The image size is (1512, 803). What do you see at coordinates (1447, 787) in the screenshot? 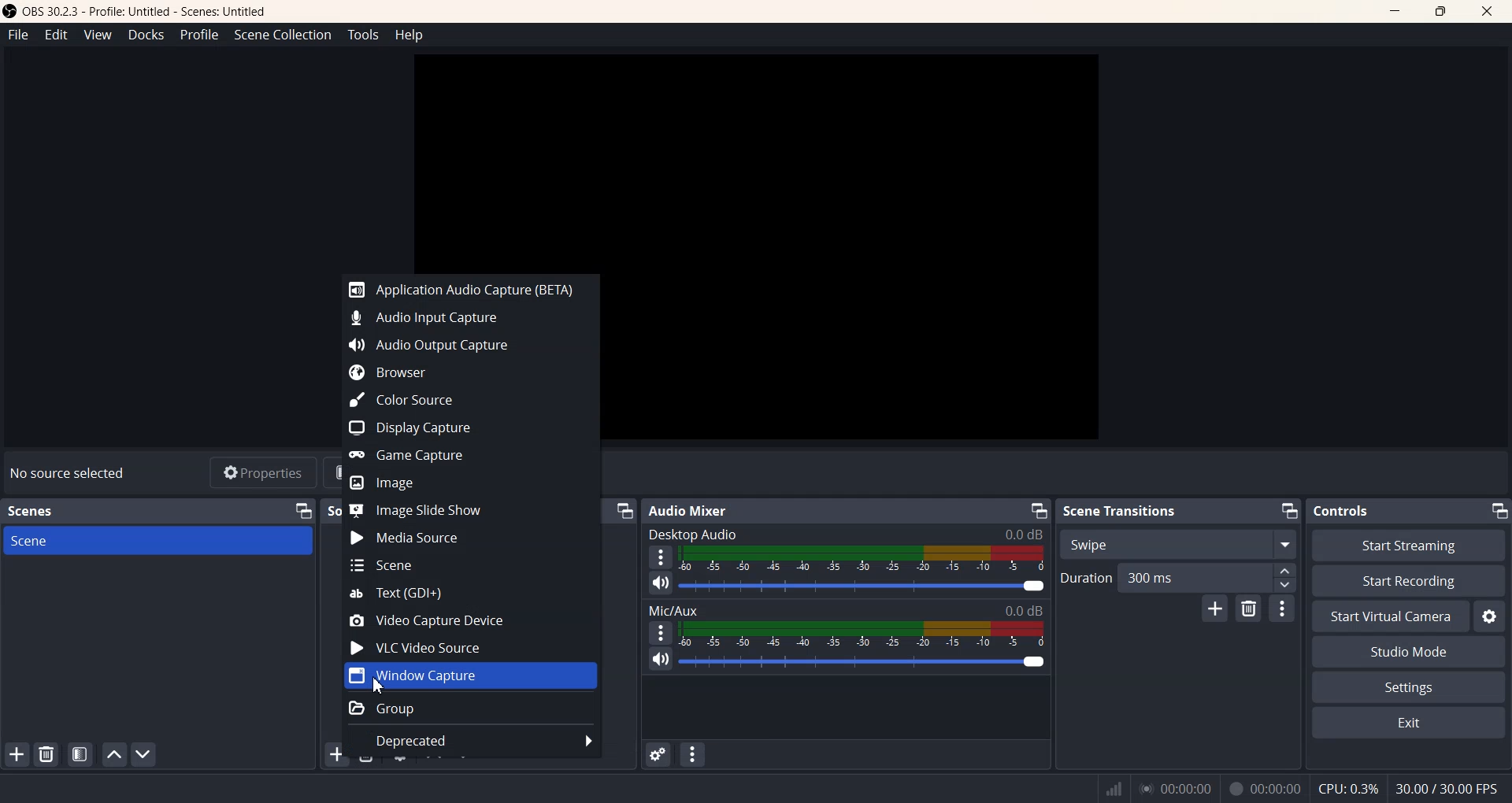
I see `30.00 / 30.00 FPS` at bounding box center [1447, 787].